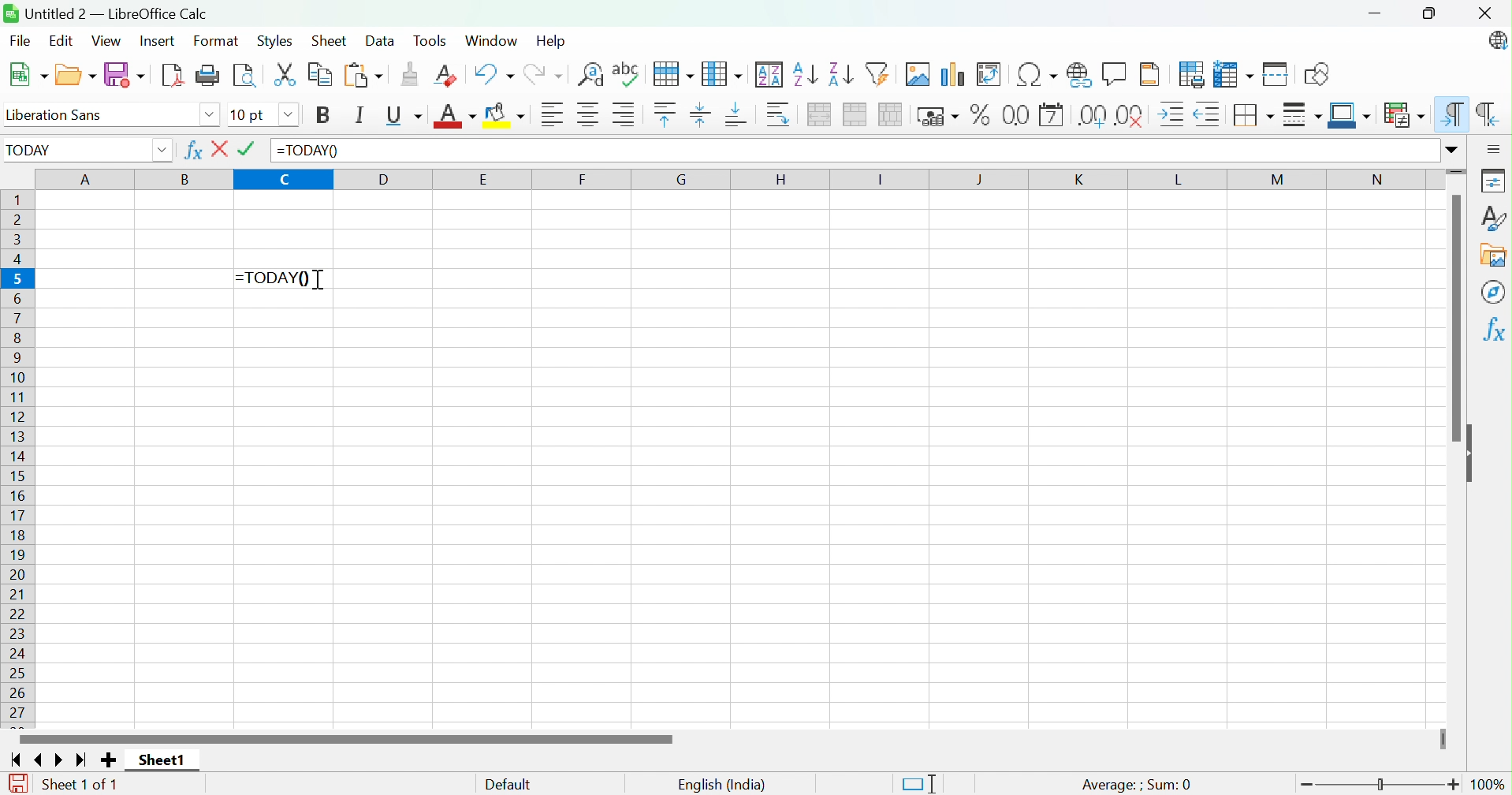  I want to click on Delete decimal place, so click(1130, 116).